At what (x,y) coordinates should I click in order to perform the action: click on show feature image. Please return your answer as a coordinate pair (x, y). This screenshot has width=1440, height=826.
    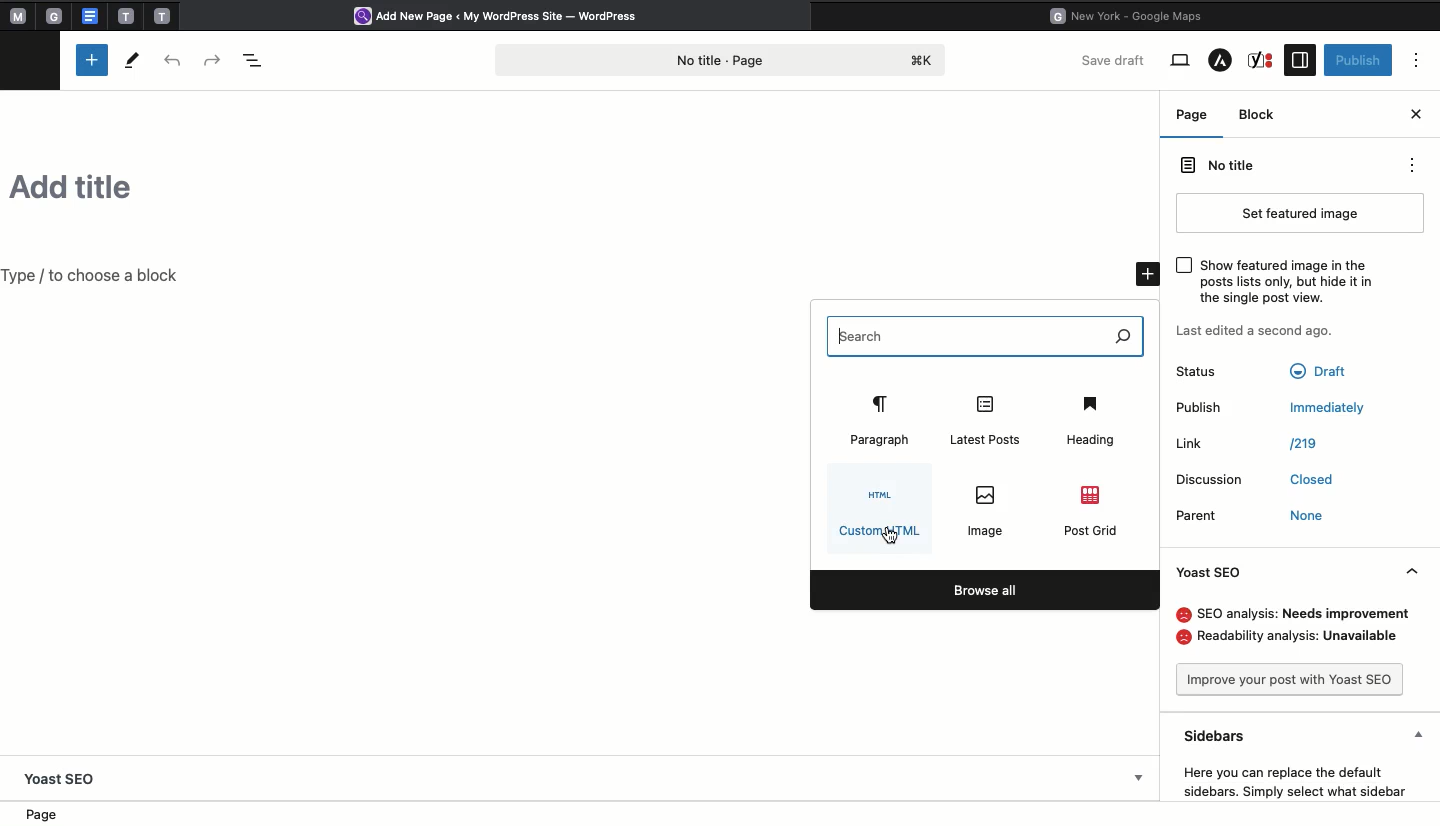
    Looking at the image, I should click on (1274, 283).